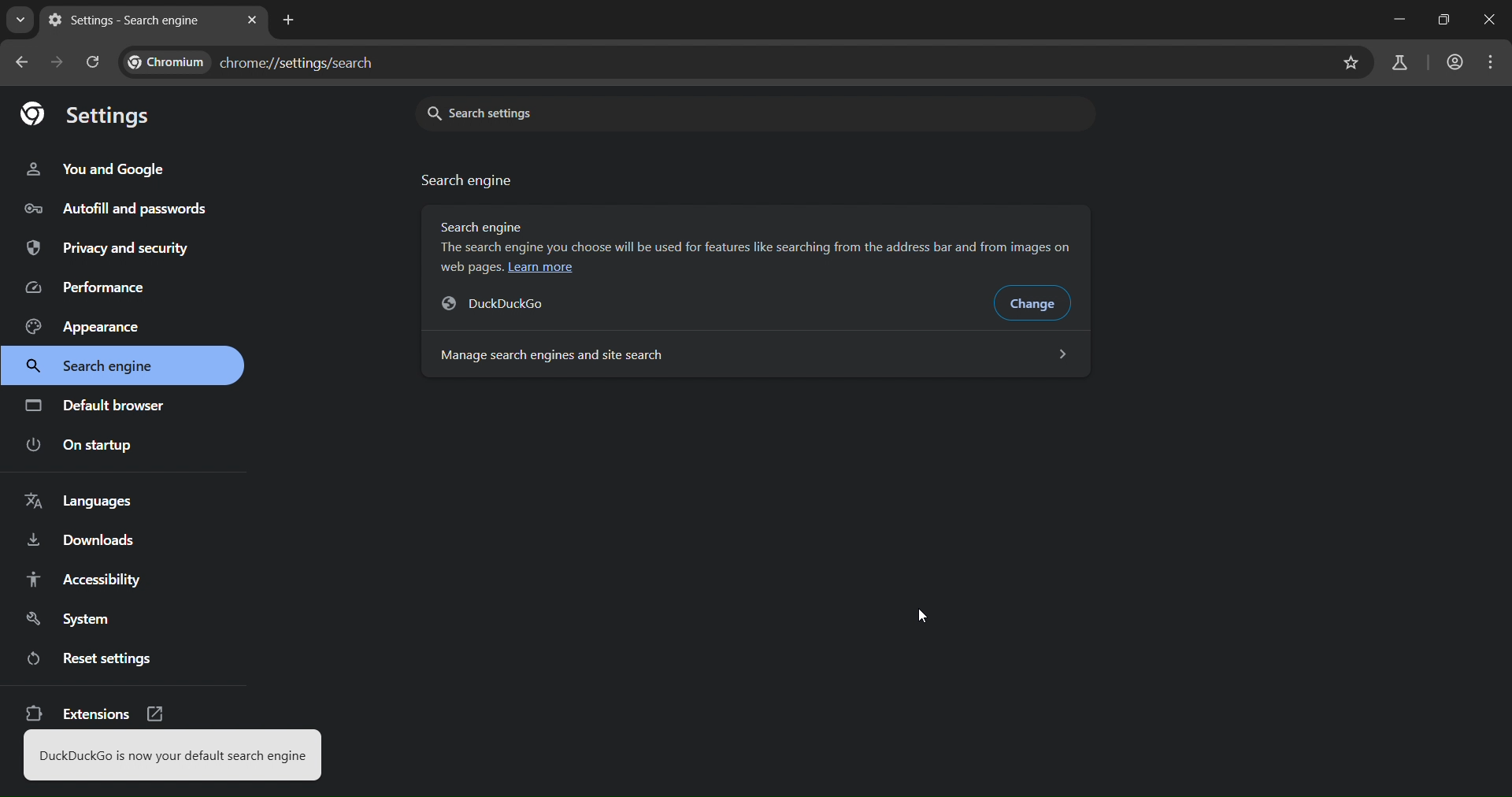 The width and height of the screenshot is (1512, 797). Describe the element at coordinates (79, 618) in the screenshot. I see `system` at that location.